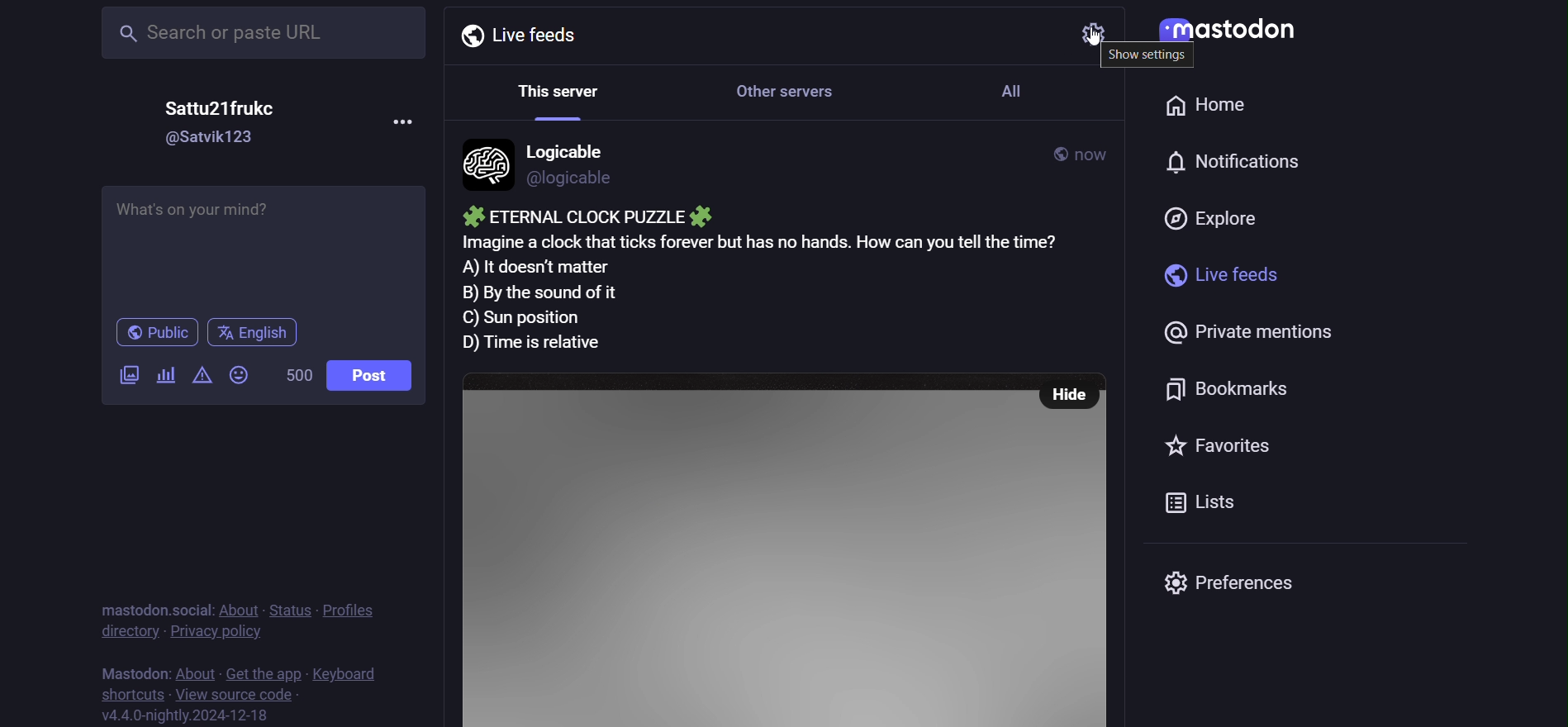  I want to click on get the app, so click(259, 672).